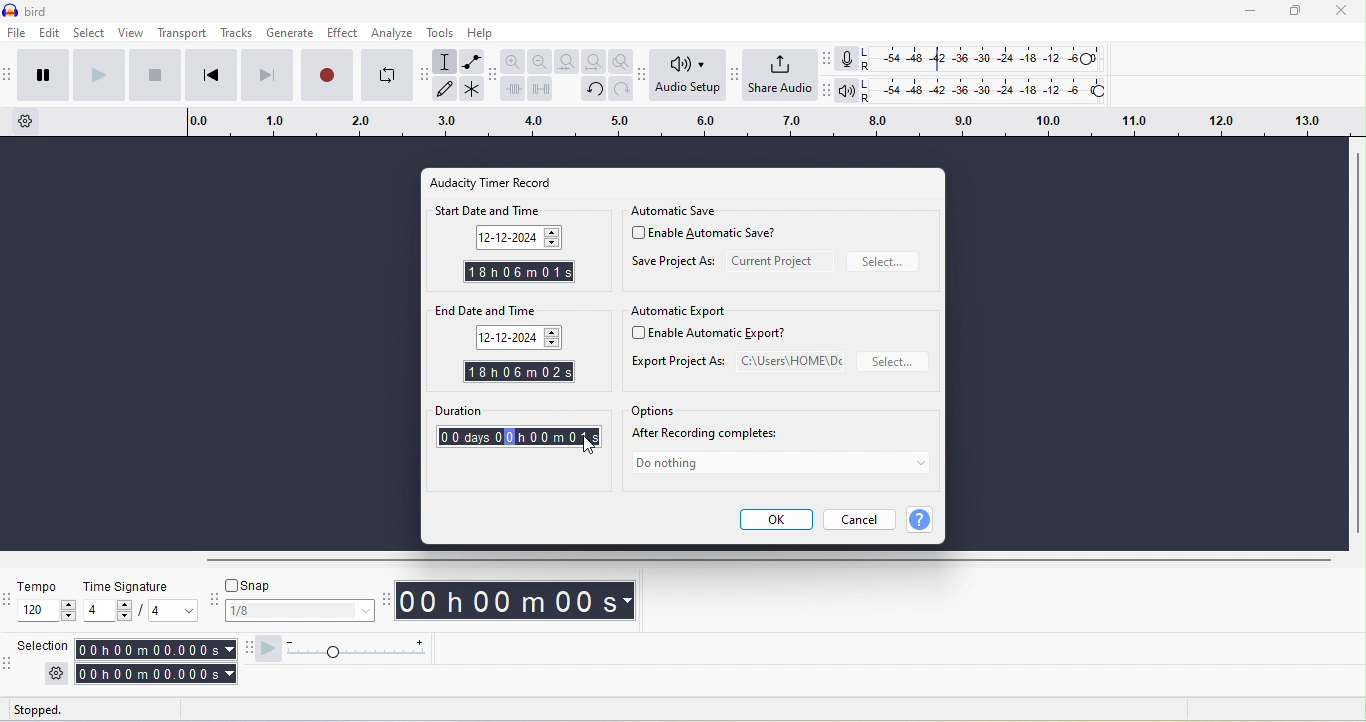 The width and height of the screenshot is (1366, 722). Describe the element at coordinates (539, 88) in the screenshot. I see `silence audio selection` at that location.